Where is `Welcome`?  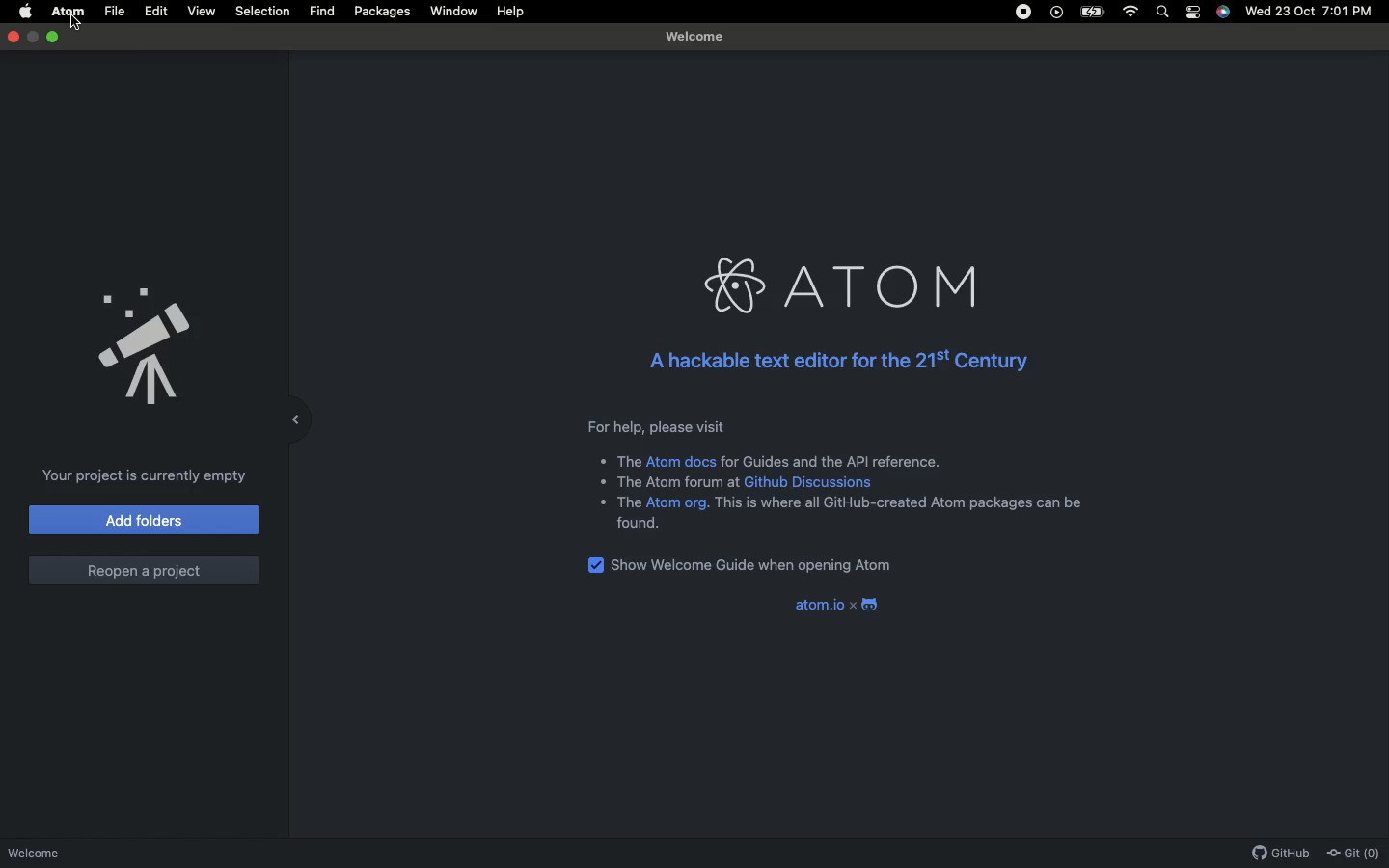 Welcome is located at coordinates (35, 854).